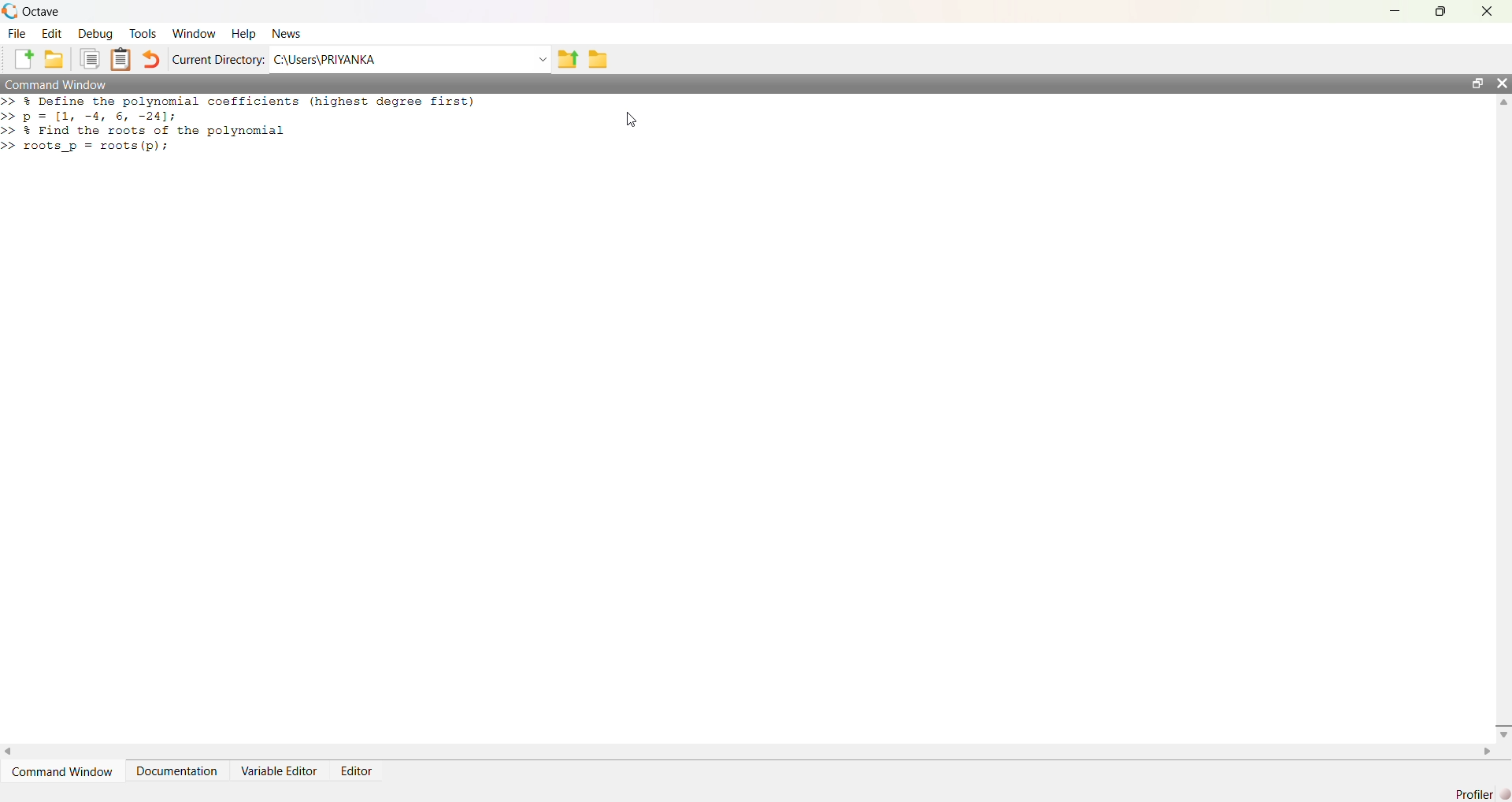 The height and width of the screenshot is (802, 1512). I want to click on Files, so click(91, 60).